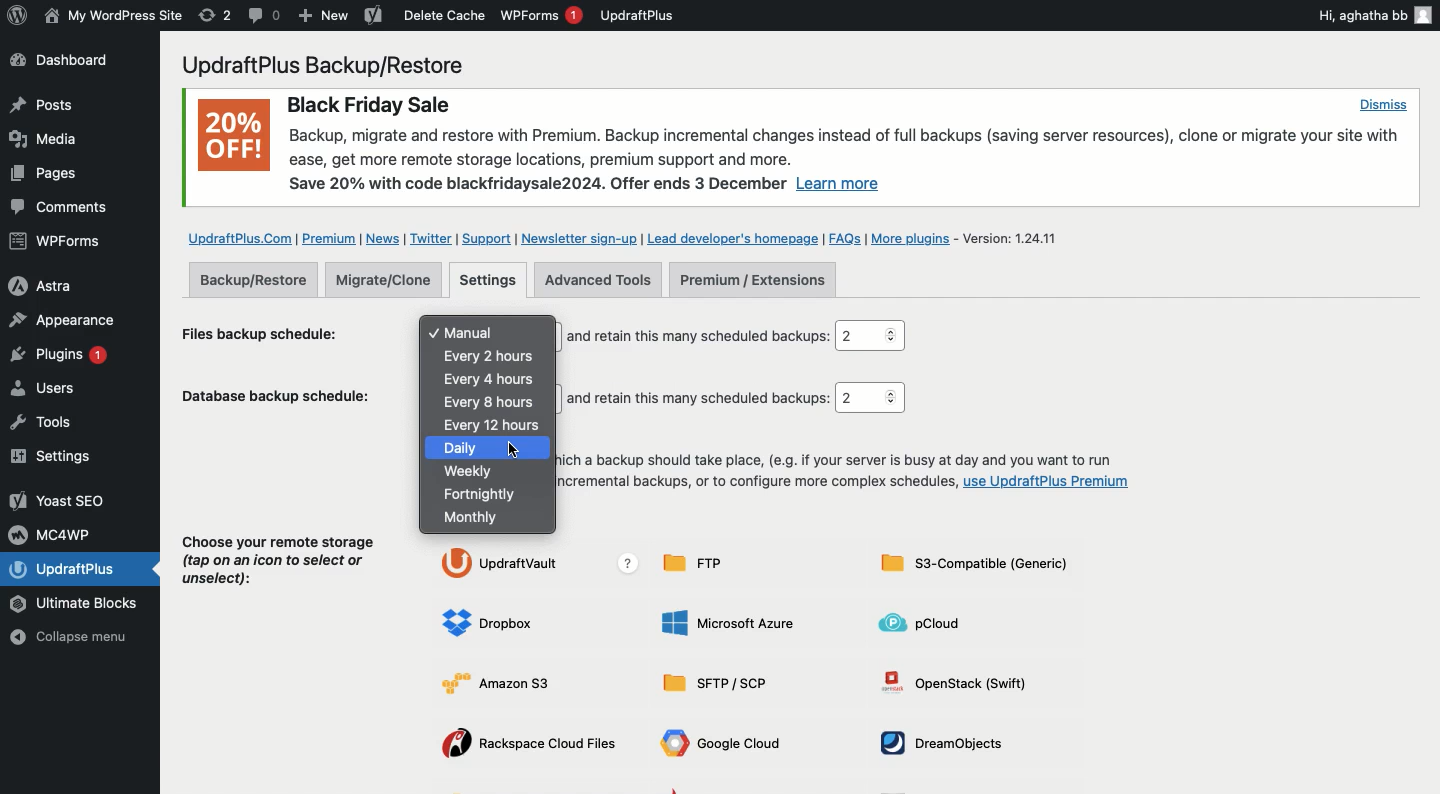 Image resolution: width=1440 pixels, height=794 pixels. What do you see at coordinates (849, 161) in the screenshot?
I see `Backup, migrate and restore with Premium. Backup incremental changes instead of full backups (saving server resources), clone or migrate your site withease, get more remote storage locations, premium support and more. Save 20% with code blackfridaysale2024. Offer ends 3 December Learn more` at bounding box center [849, 161].